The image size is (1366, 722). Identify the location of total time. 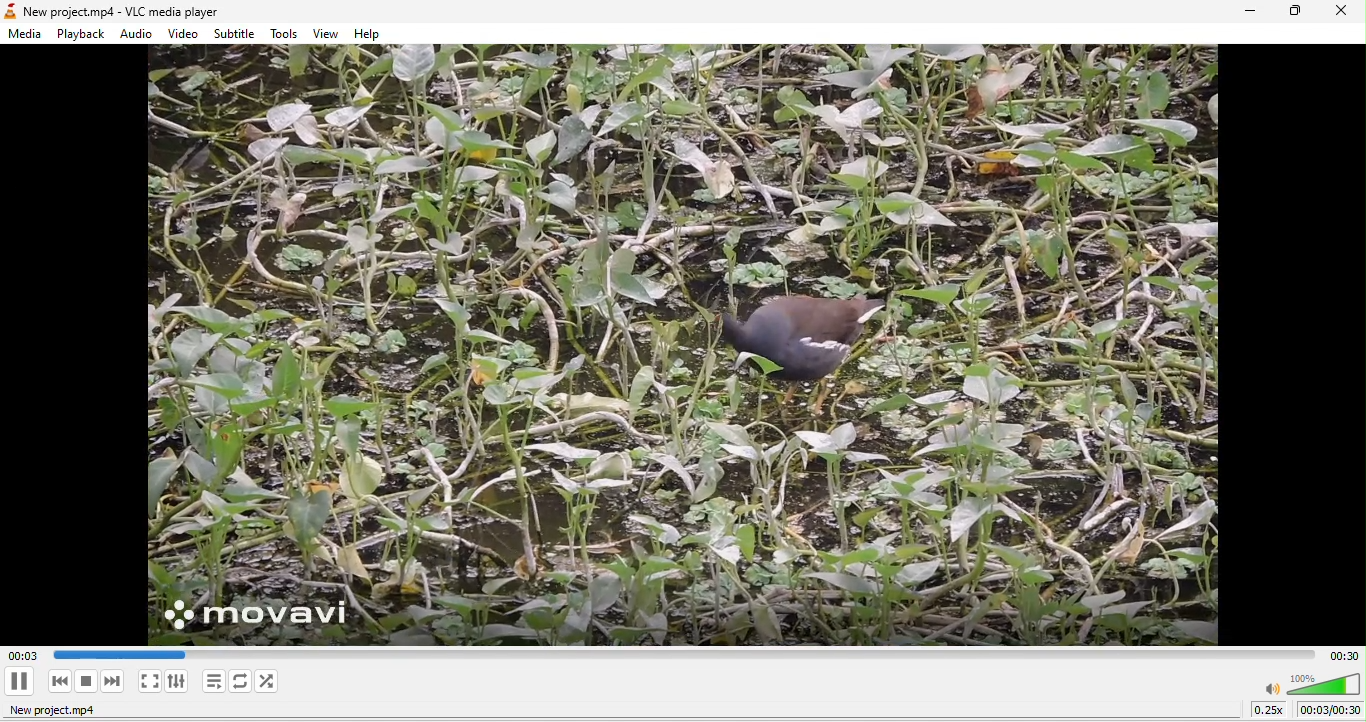
(1339, 654).